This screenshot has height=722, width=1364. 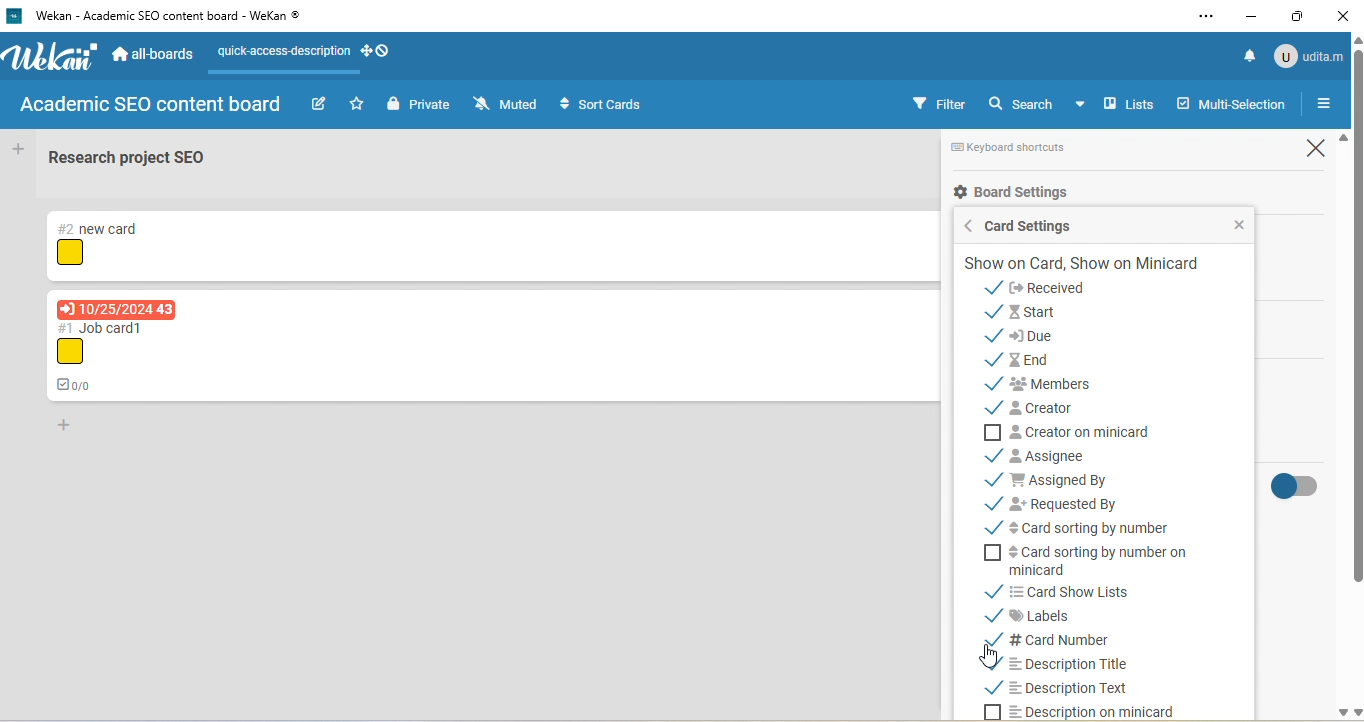 I want to click on edit, so click(x=319, y=104).